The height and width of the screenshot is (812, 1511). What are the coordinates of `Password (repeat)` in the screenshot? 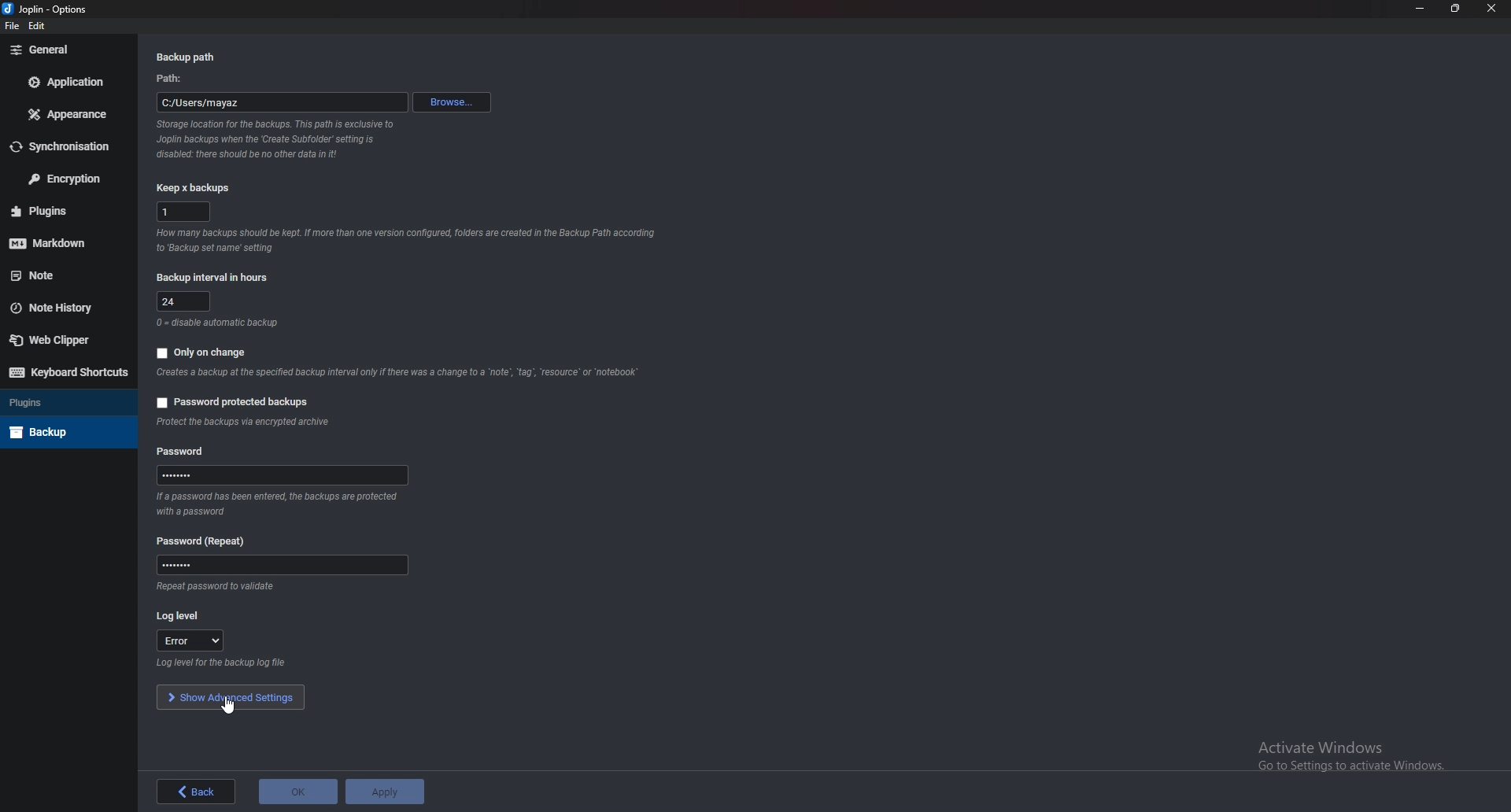 It's located at (211, 539).